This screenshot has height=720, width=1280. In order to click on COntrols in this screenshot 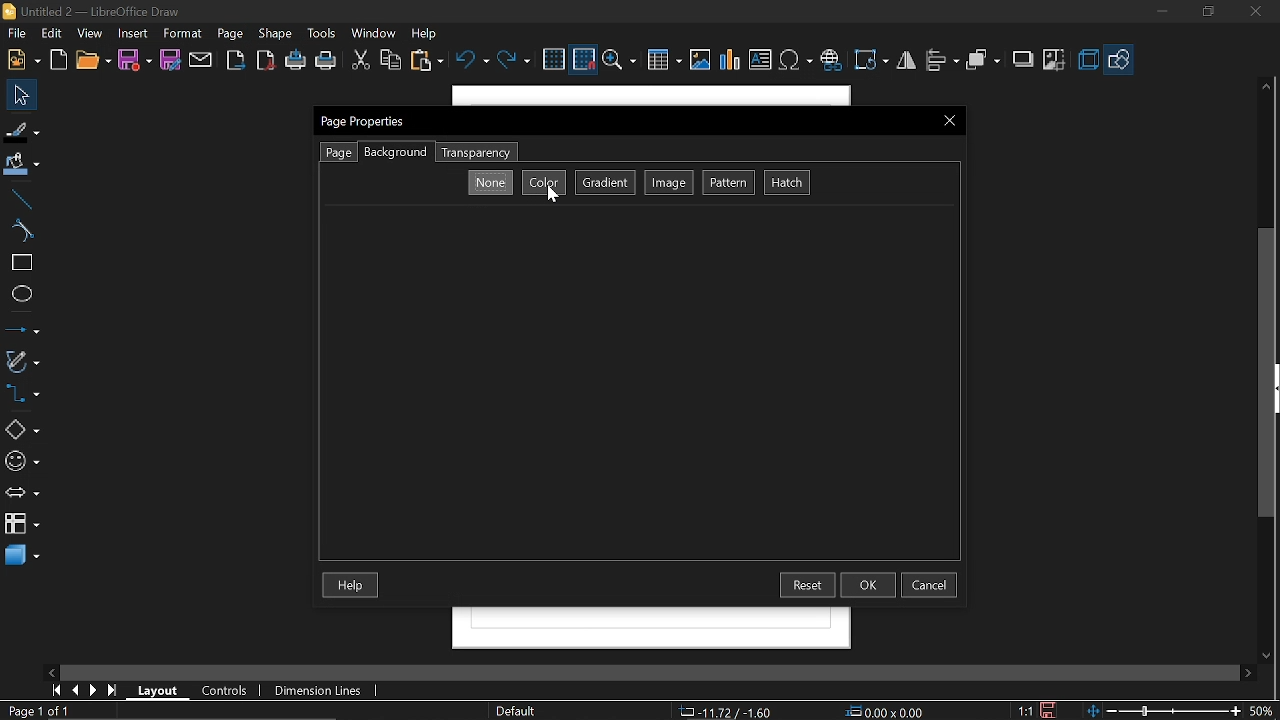, I will do `click(230, 690)`.